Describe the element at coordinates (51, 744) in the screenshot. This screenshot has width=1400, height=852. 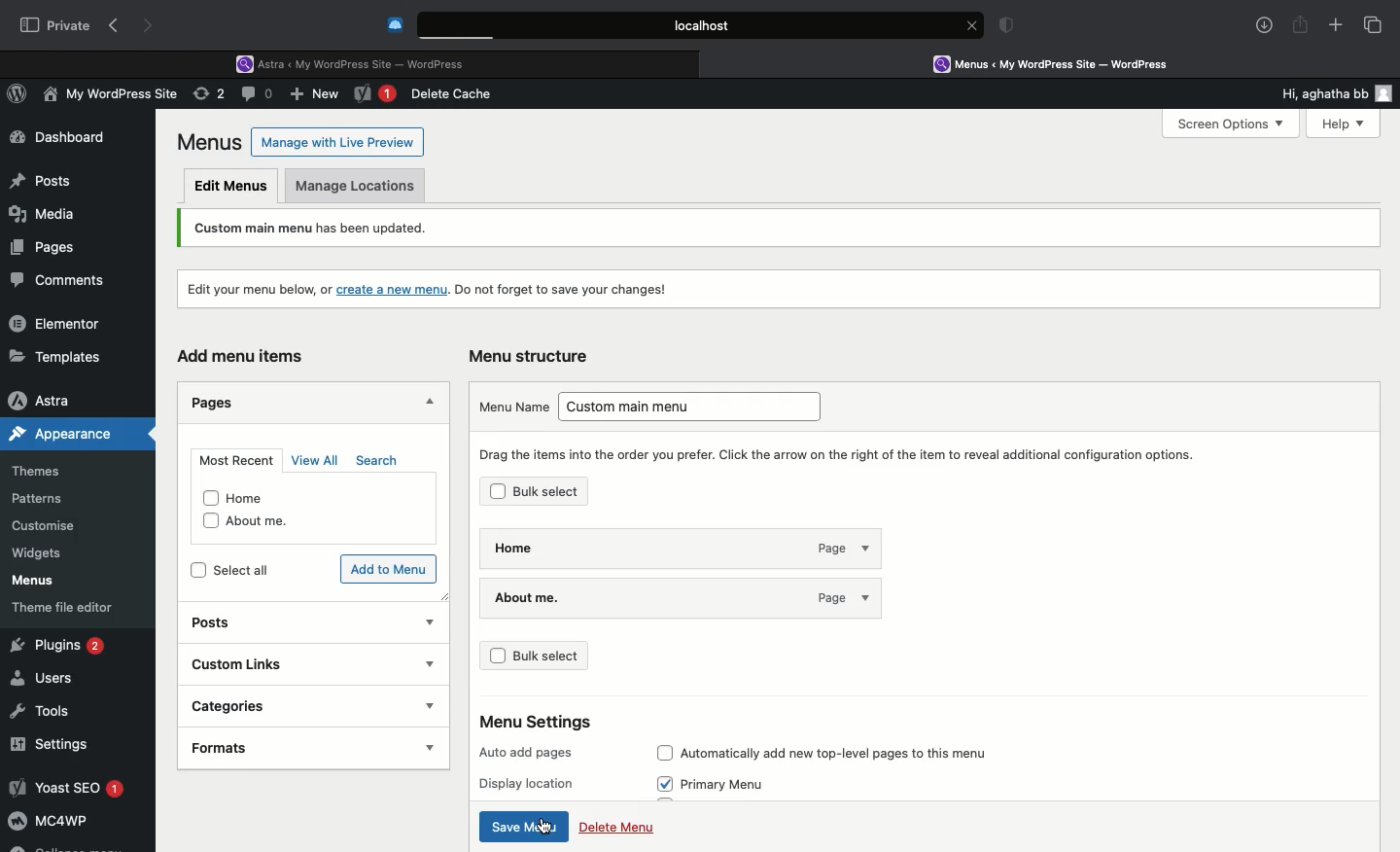
I see `Settings` at that location.